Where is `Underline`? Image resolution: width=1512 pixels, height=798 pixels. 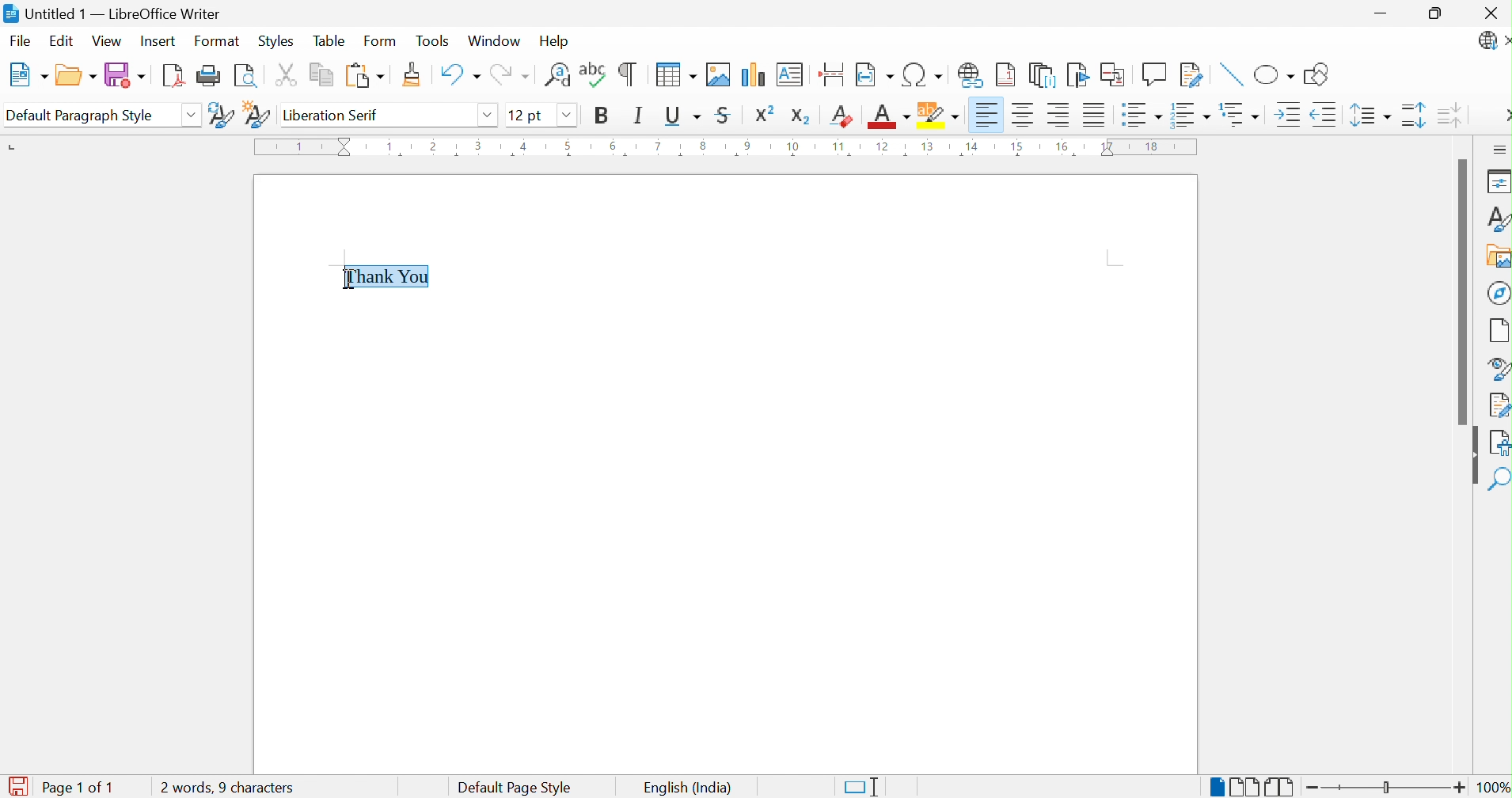
Underline is located at coordinates (685, 115).